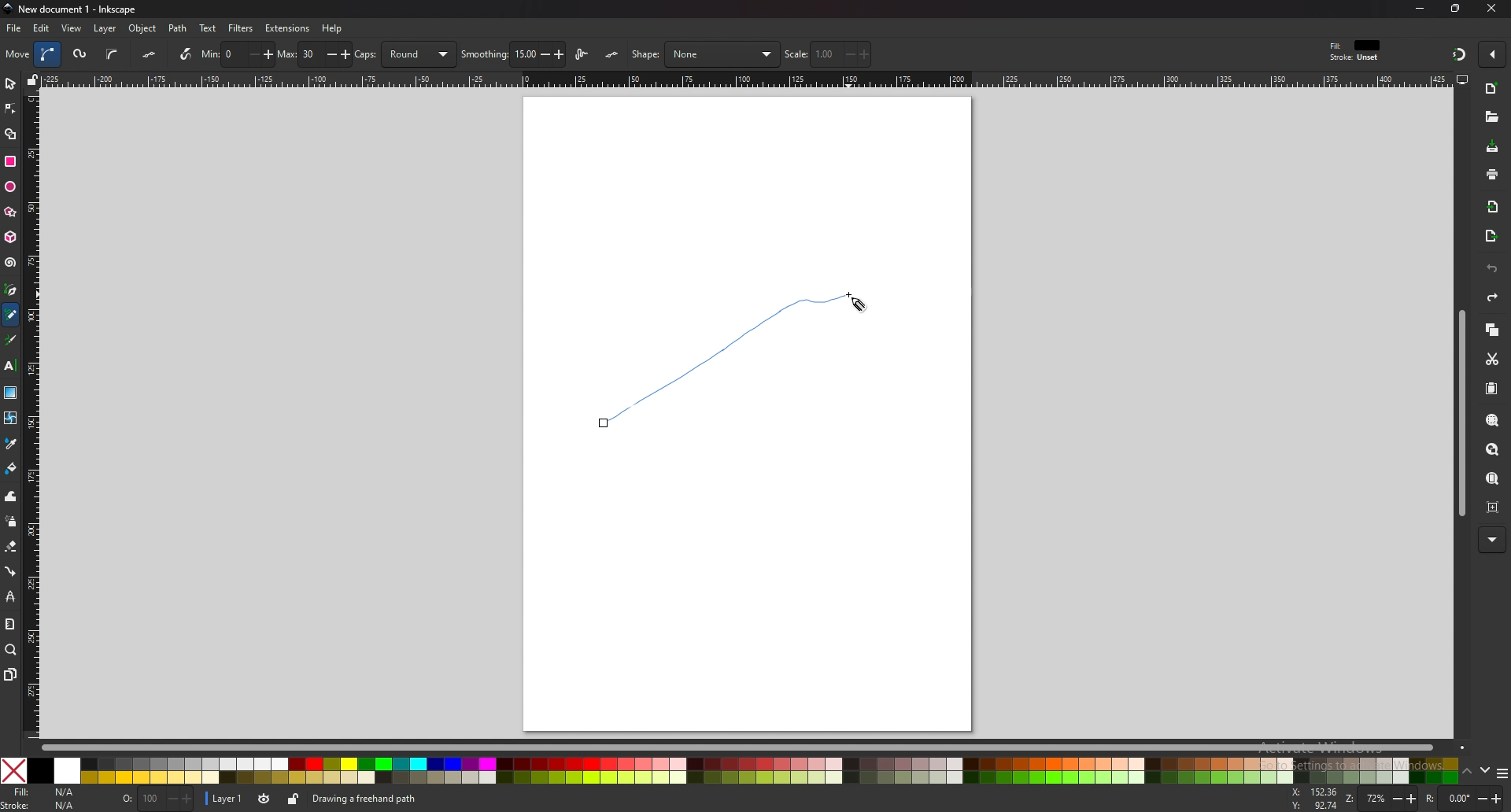 The height and width of the screenshot is (812, 1511). I want to click on caps, so click(405, 54).